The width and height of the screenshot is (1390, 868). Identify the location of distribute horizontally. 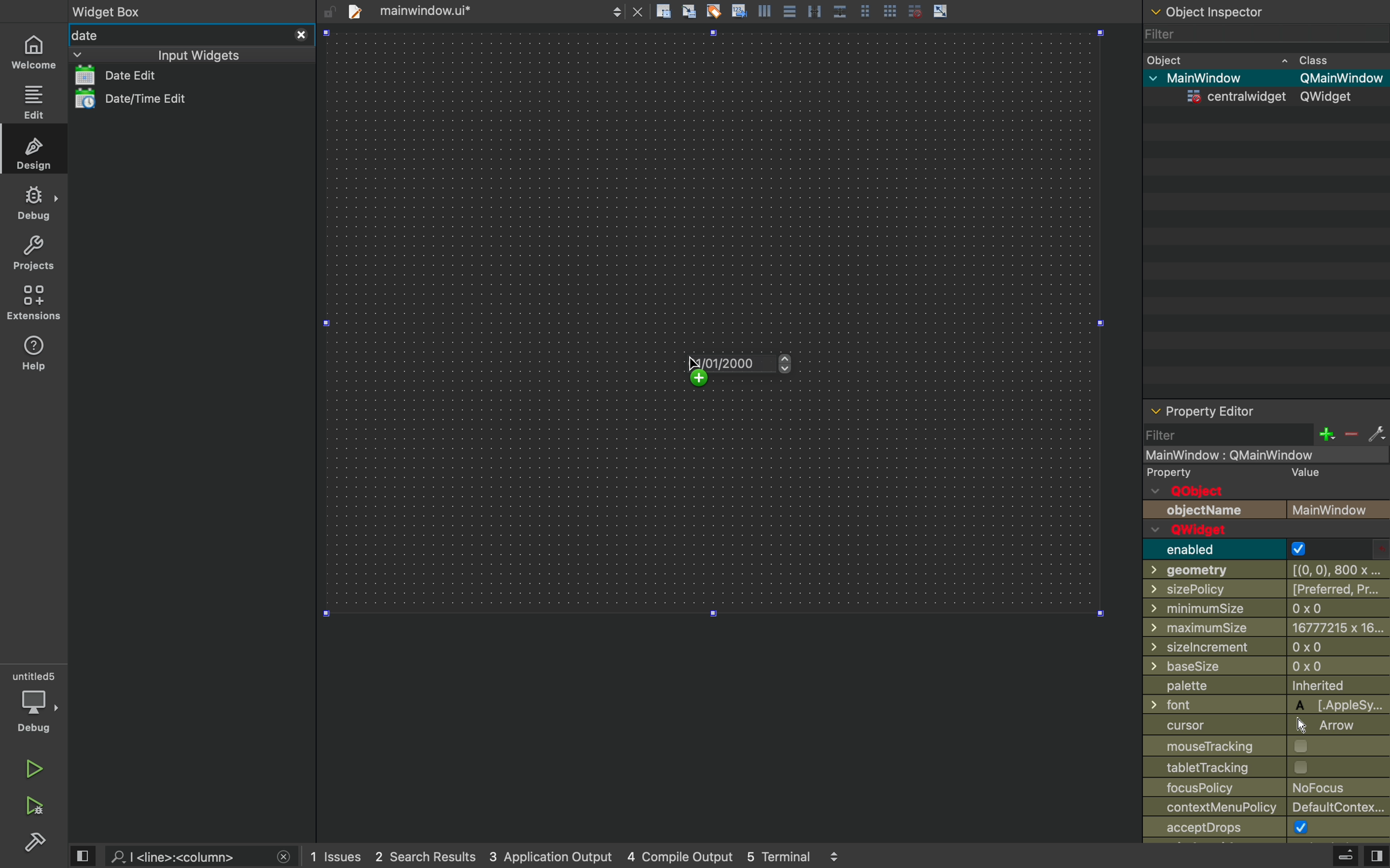
(814, 10).